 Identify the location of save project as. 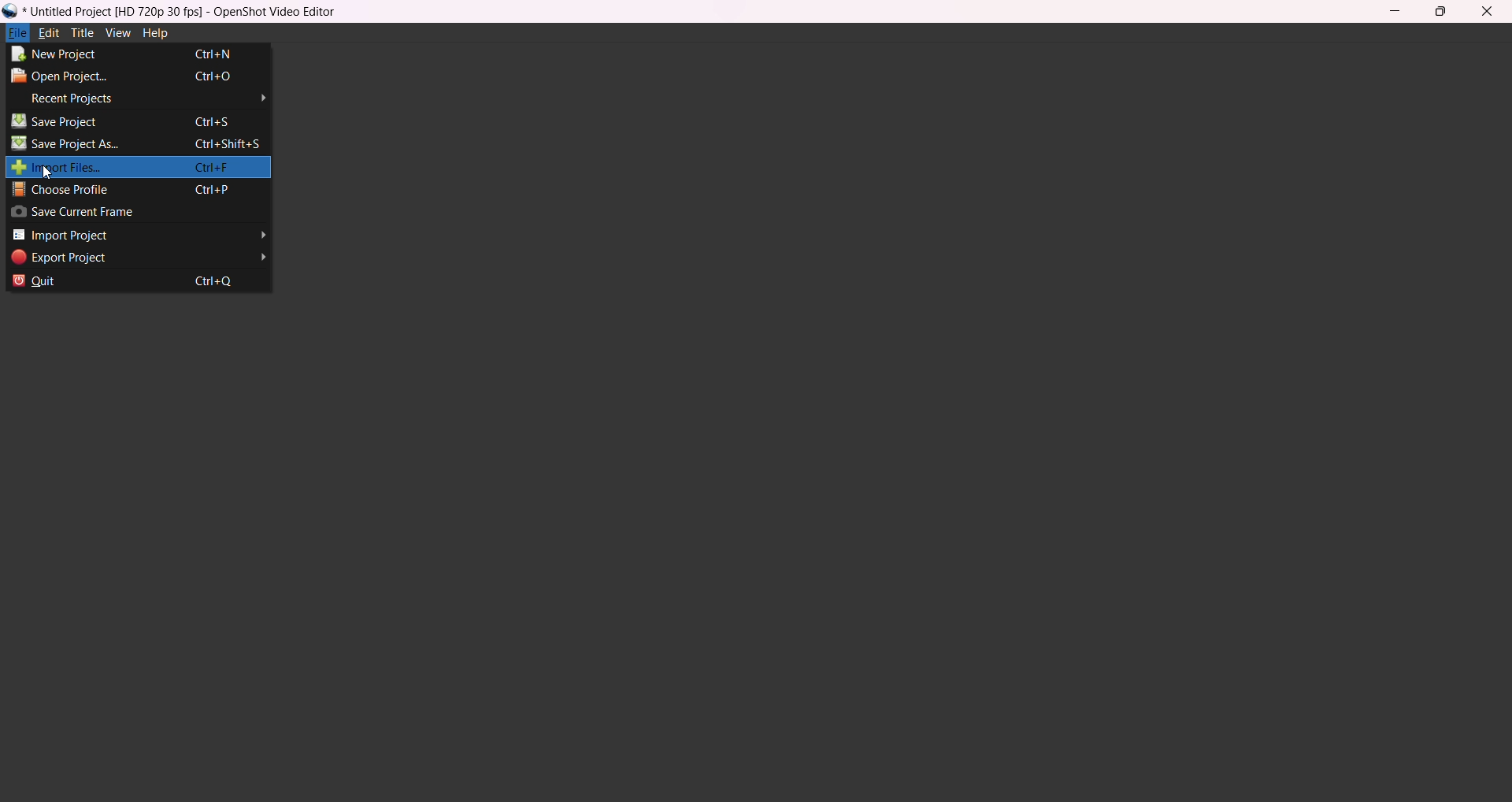
(137, 144).